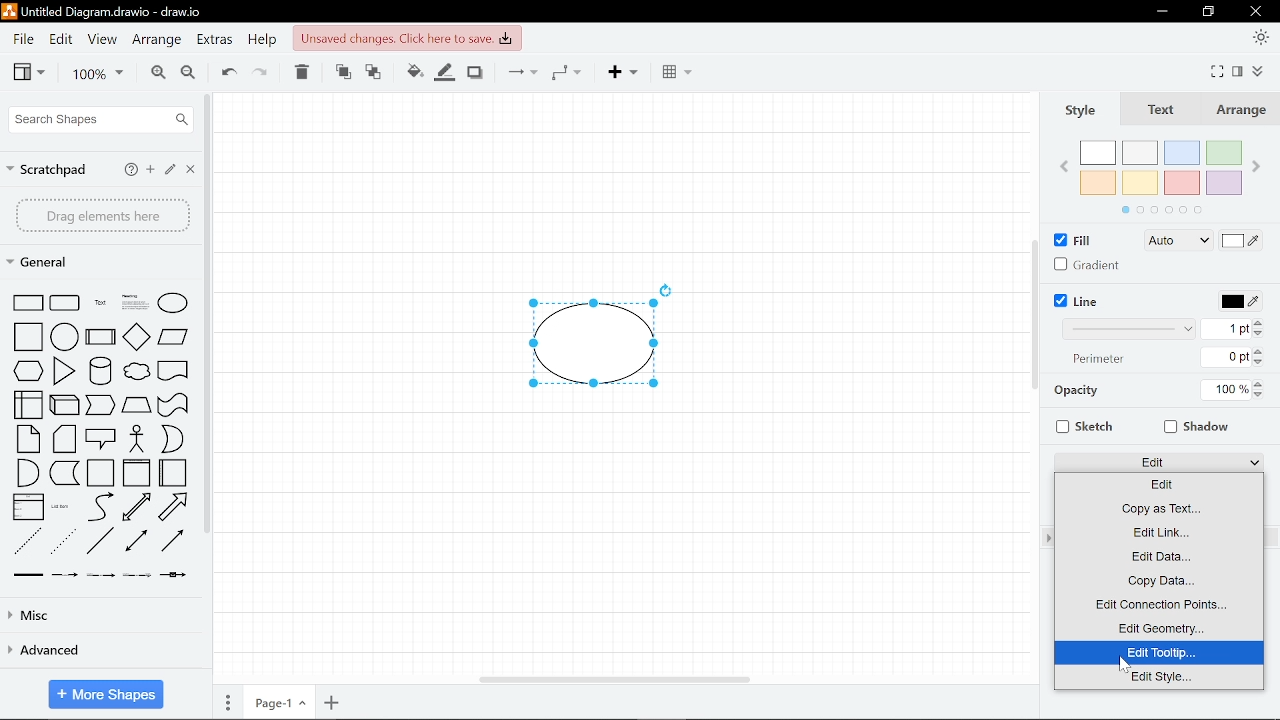  I want to click on list, so click(28, 507).